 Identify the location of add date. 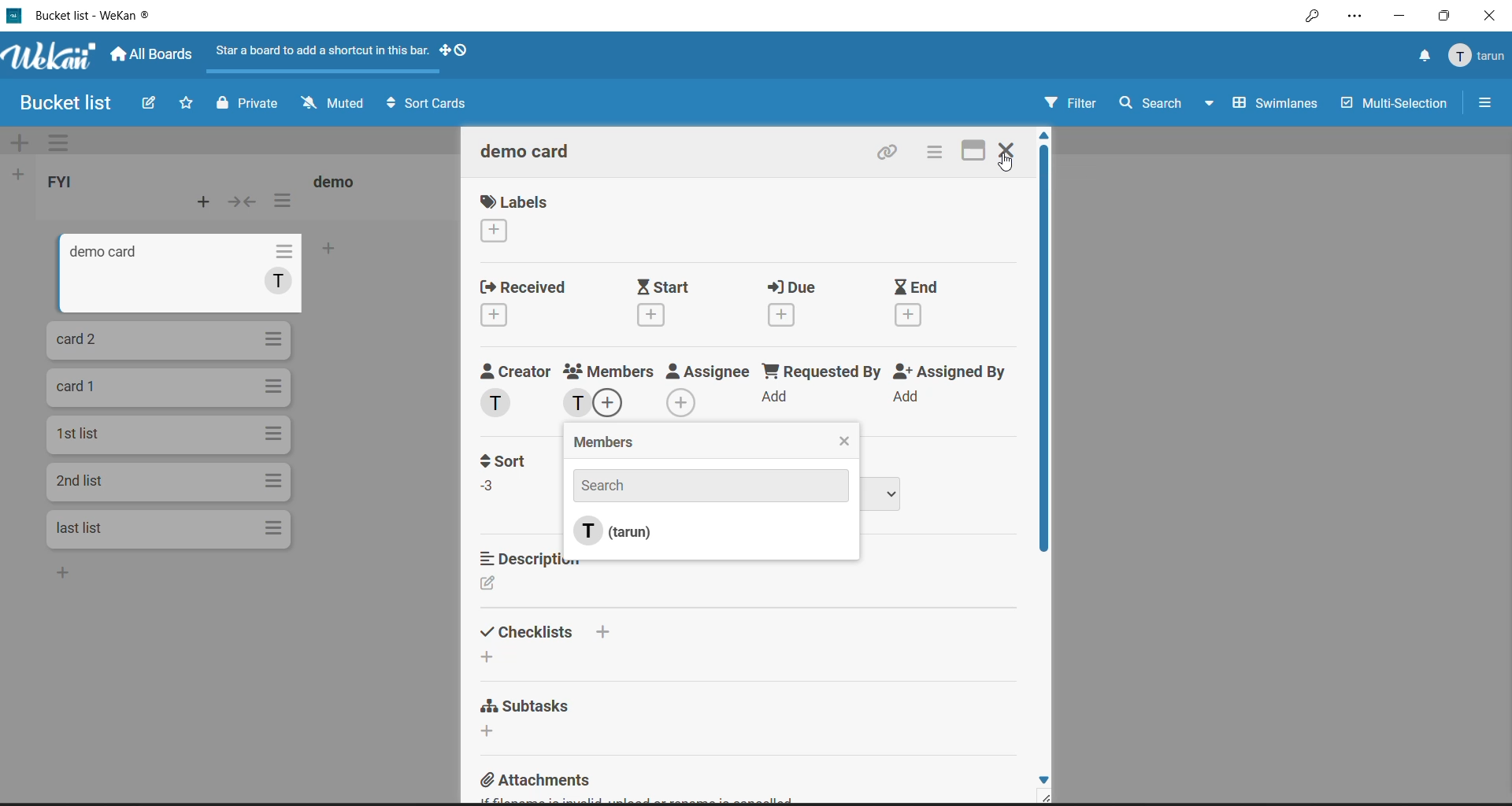
(491, 317).